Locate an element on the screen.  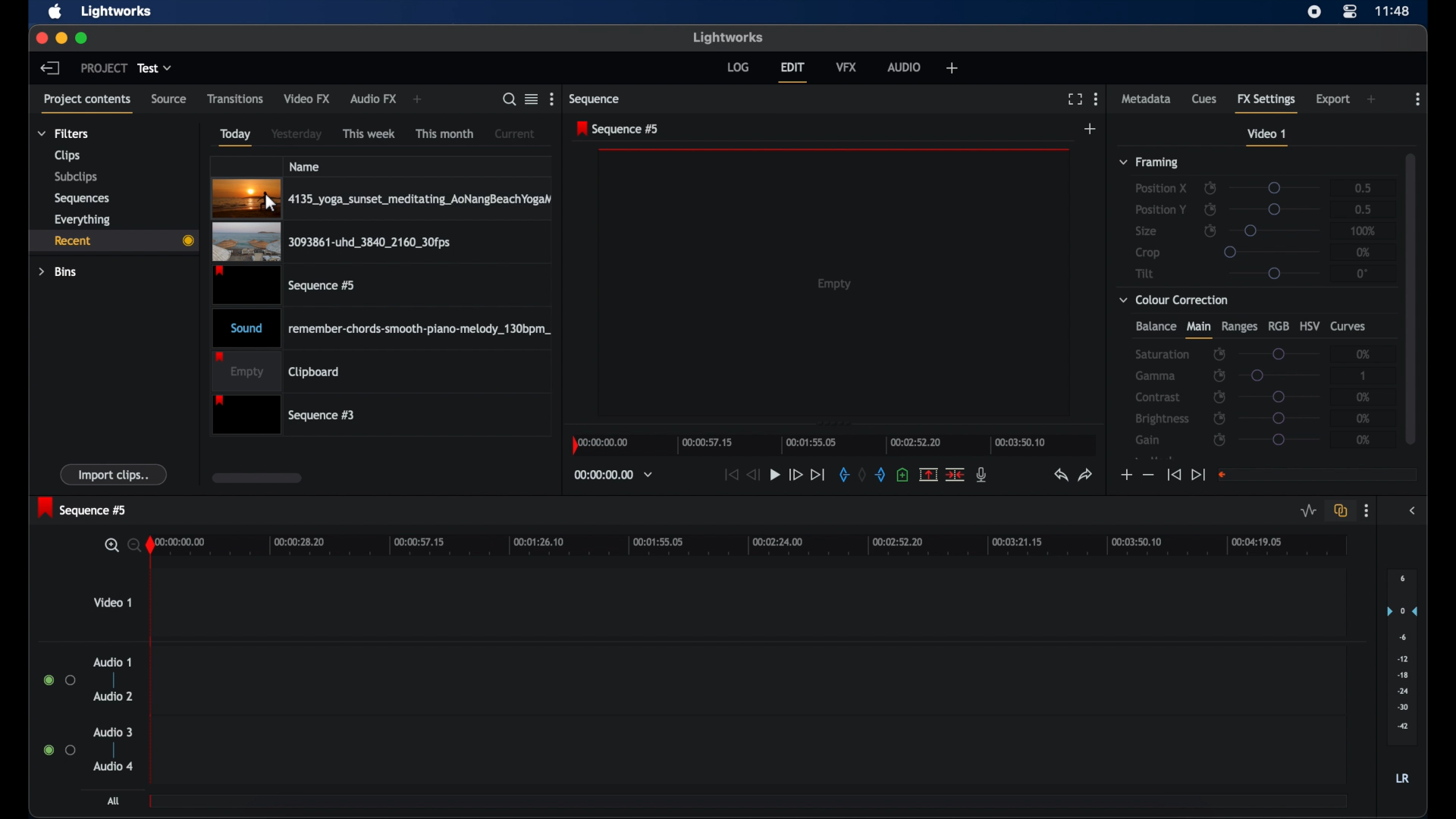
sequence is located at coordinates (596, 99).